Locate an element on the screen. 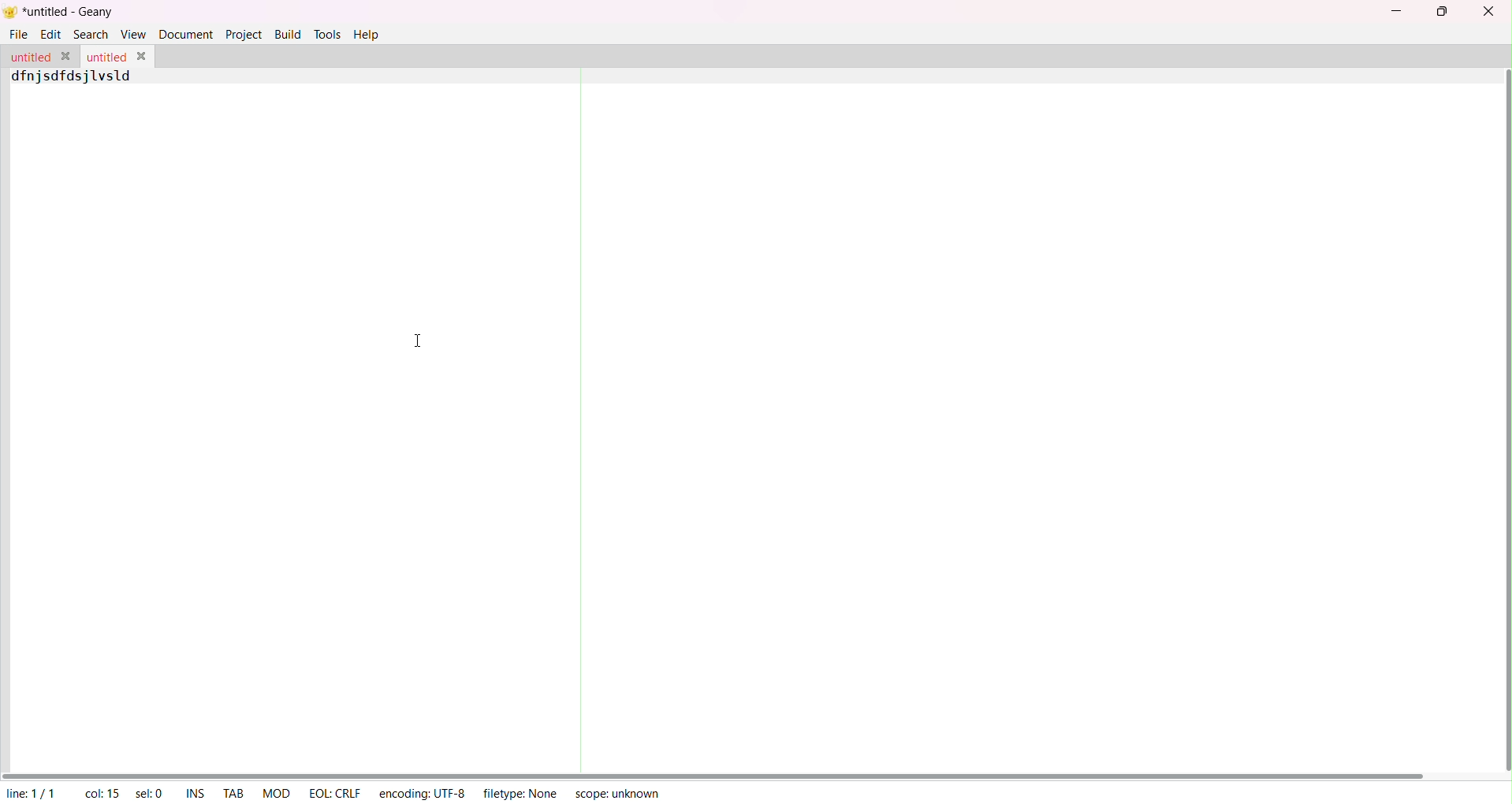  logo is located at coordinates (11, 12).